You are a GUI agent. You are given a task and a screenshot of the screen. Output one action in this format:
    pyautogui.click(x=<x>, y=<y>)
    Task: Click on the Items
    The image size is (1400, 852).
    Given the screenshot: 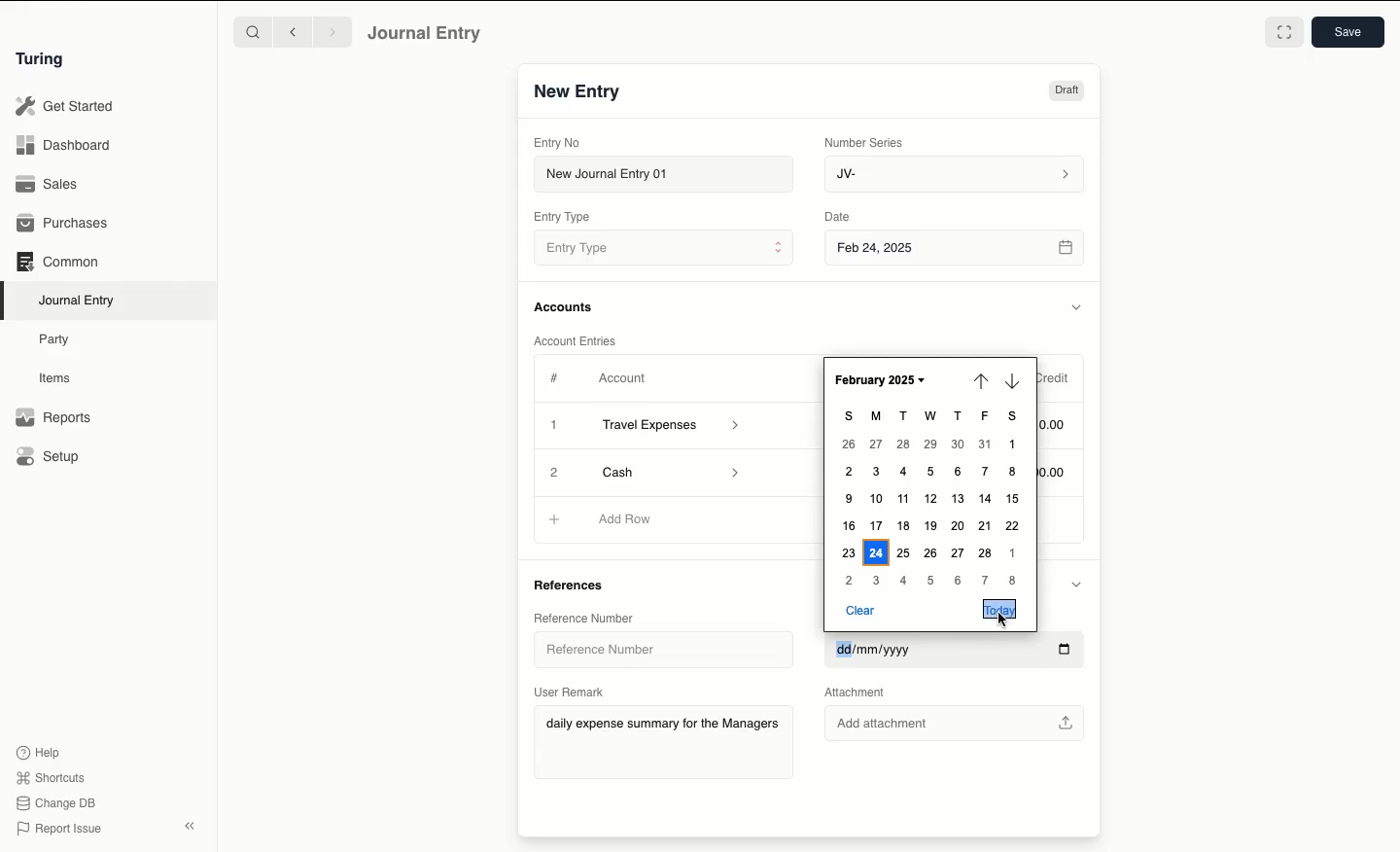 What is the action you would take?
    pyautogui.click(x=55, y=377)
    